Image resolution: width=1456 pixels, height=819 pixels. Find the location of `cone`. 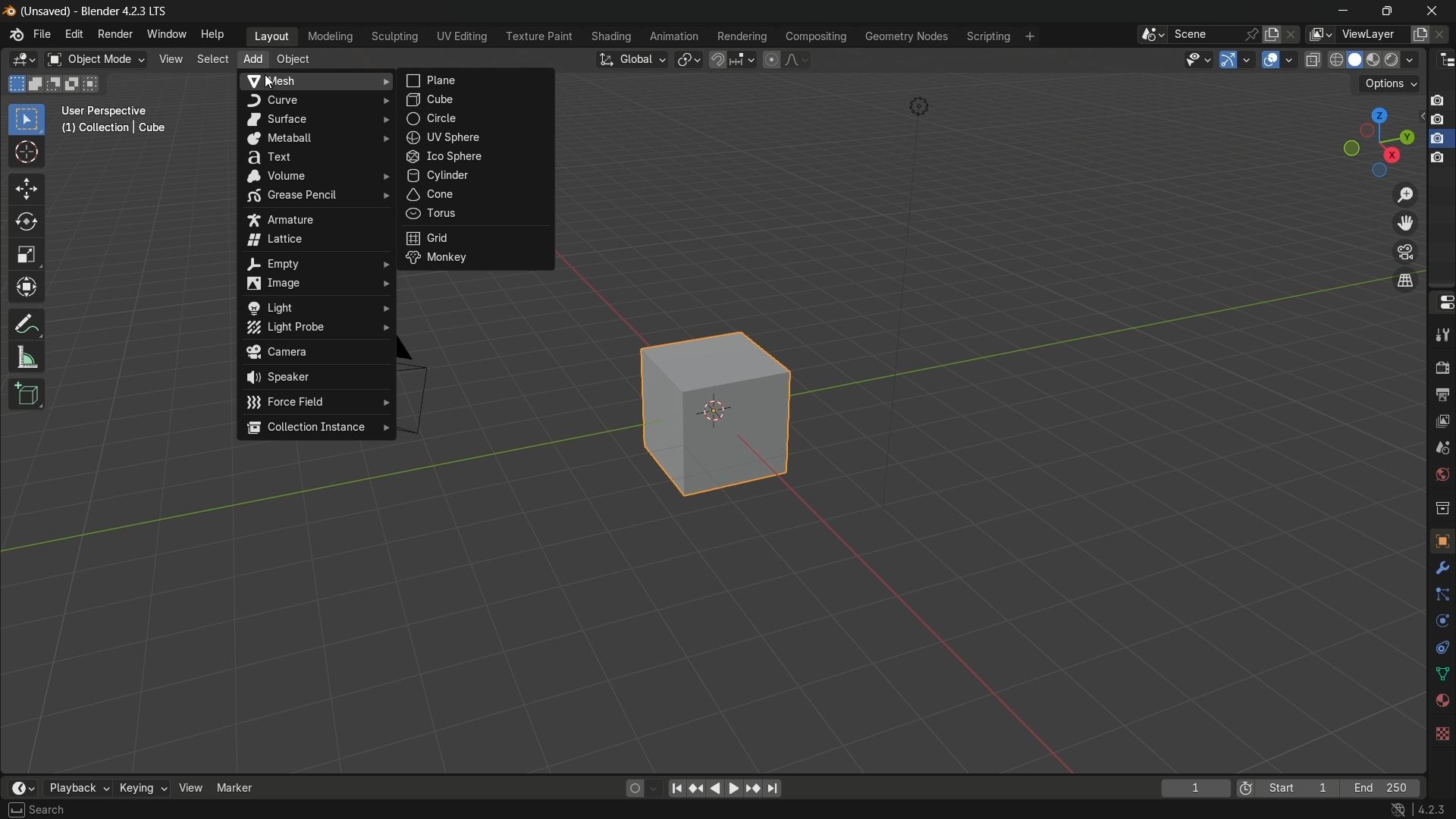

cone is located at coordinates (476, 195).